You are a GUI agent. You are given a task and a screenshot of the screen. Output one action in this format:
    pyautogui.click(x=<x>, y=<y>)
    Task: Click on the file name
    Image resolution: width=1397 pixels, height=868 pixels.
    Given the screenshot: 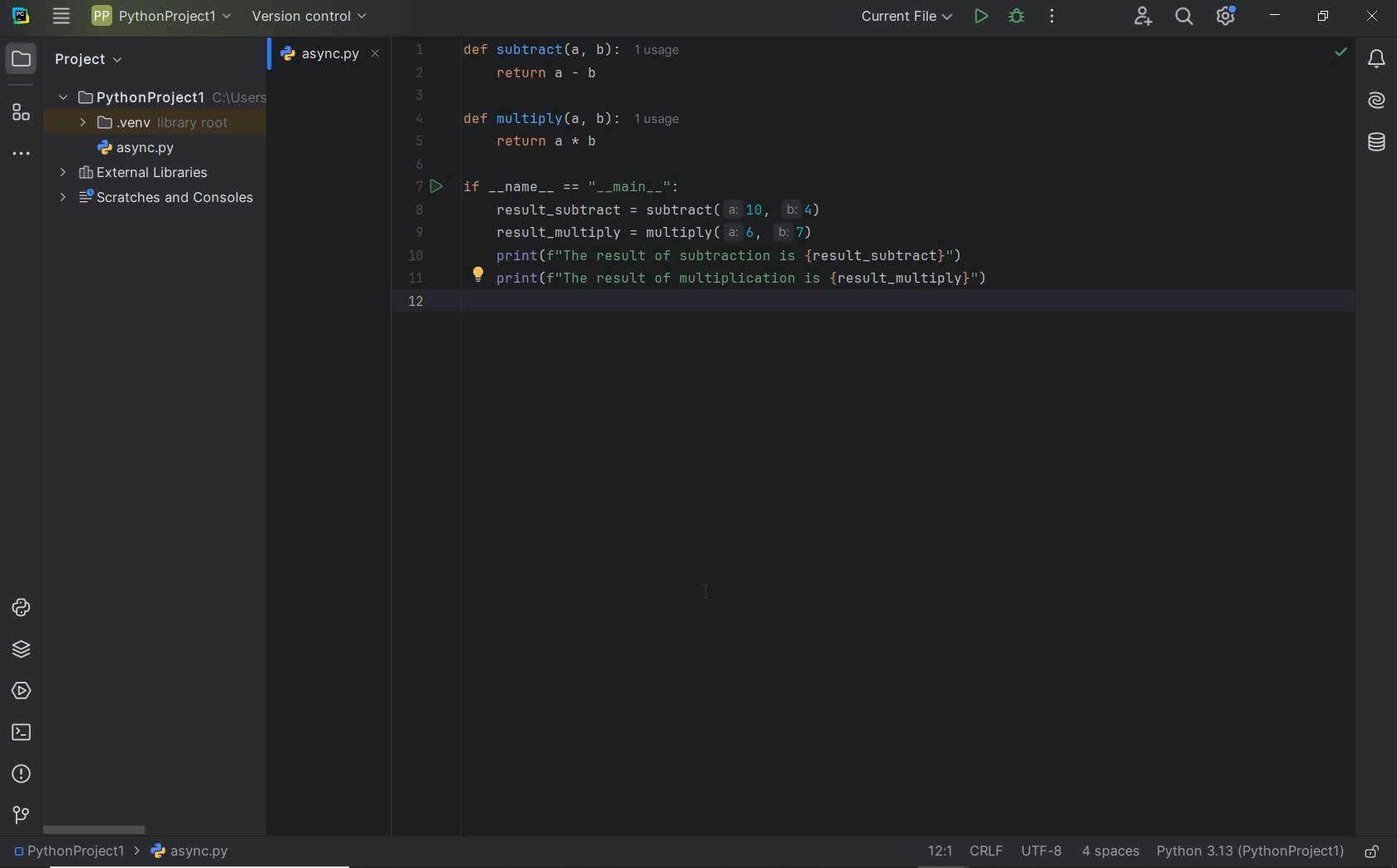 What is the action you would take?
    pyautogui.click(x=136, y=147)
    